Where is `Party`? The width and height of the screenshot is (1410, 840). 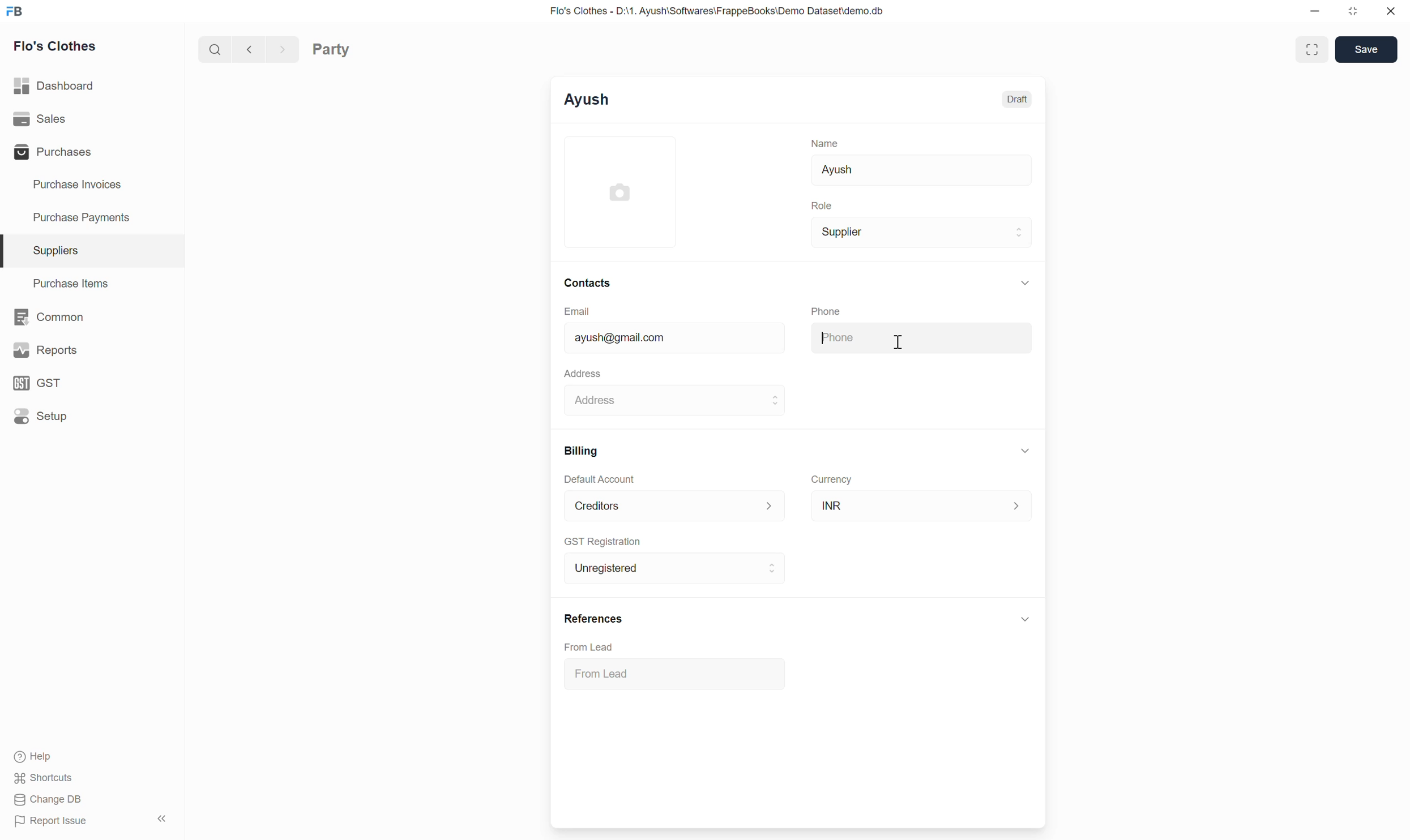
Party is located at coordinates (331, 49).